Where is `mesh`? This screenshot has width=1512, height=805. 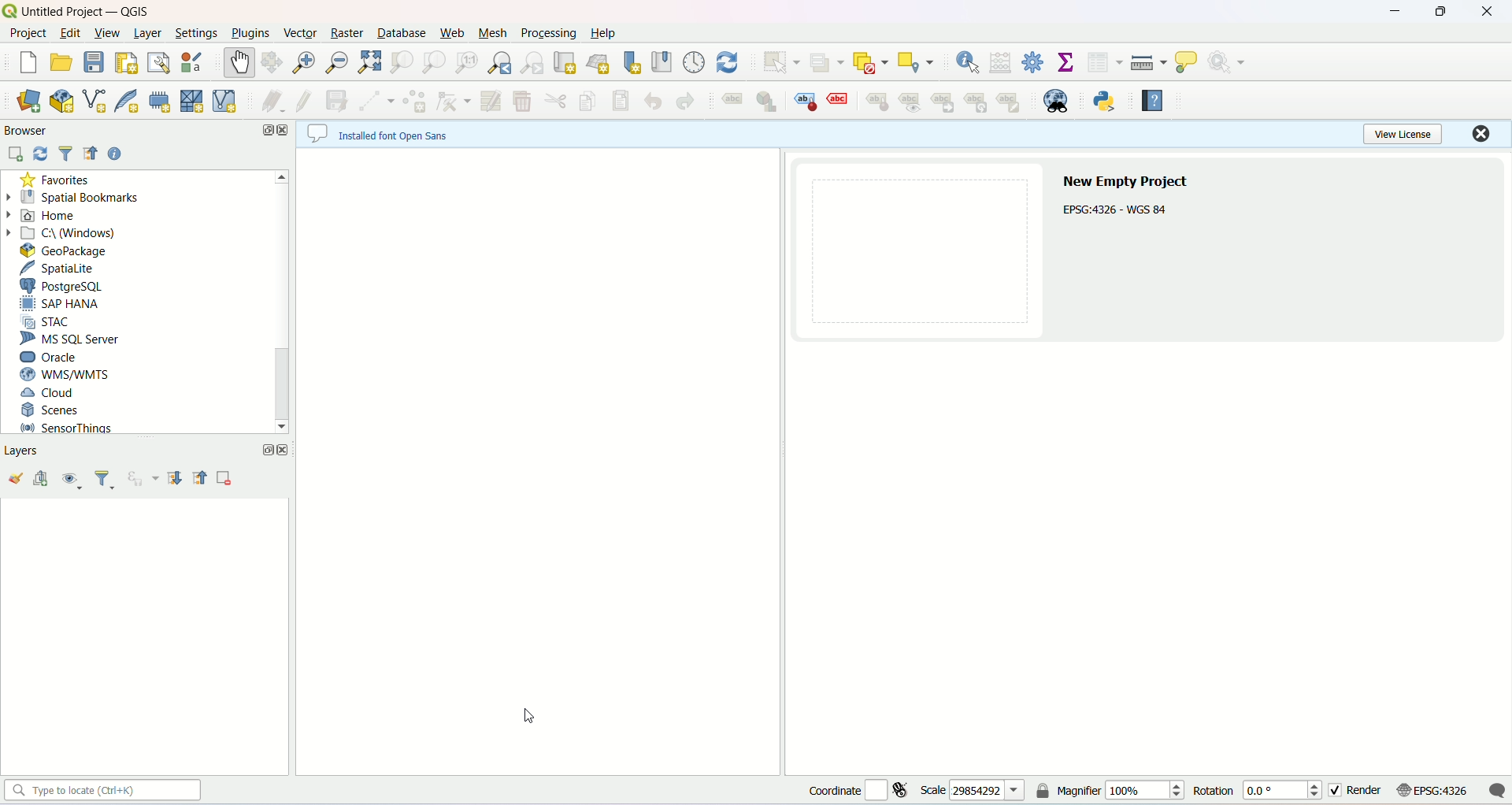 mesh is located at coordinates (492, 33).